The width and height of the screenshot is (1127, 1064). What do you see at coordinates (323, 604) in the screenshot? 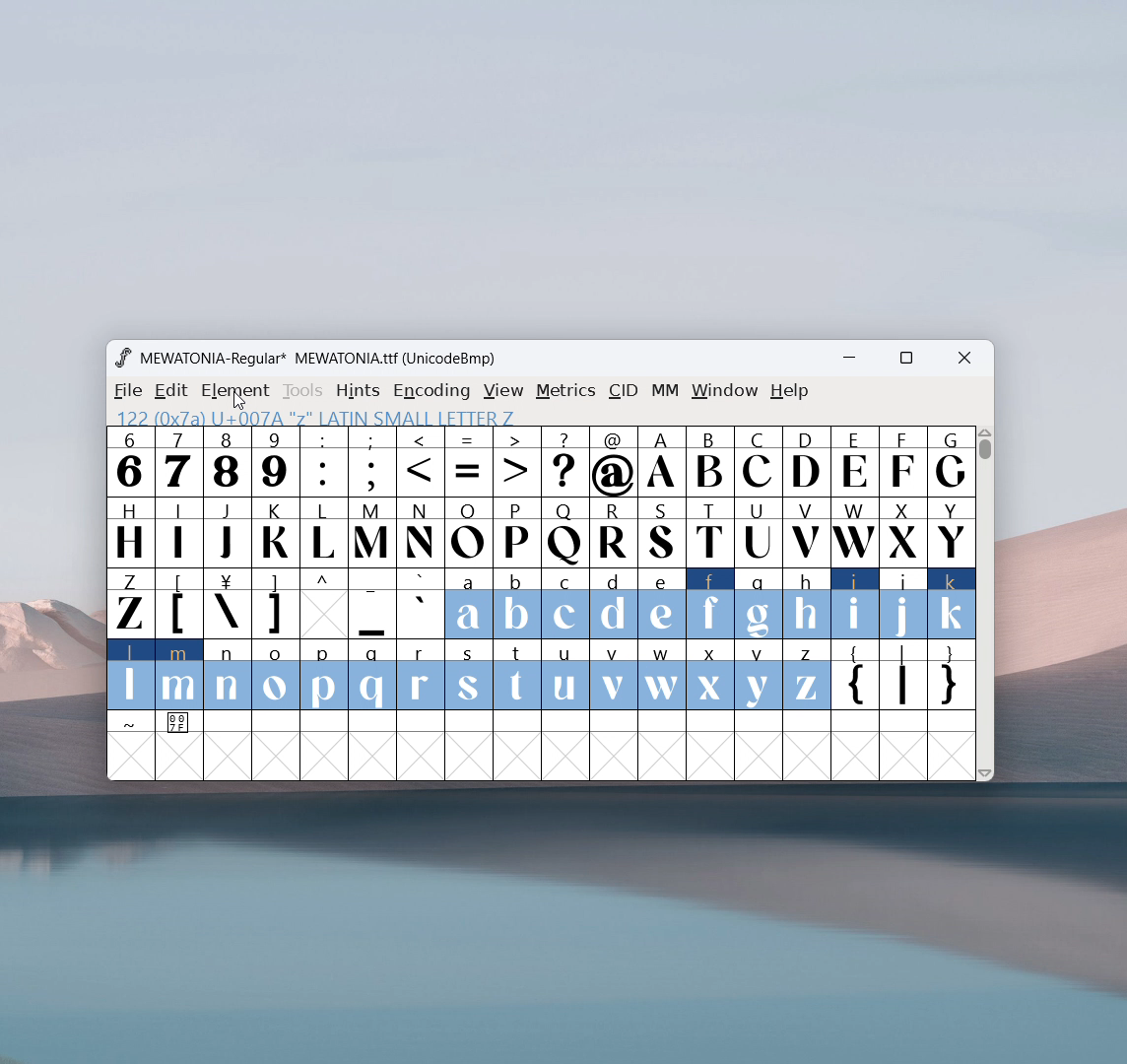
I see `^` at bounding box center [323, 604].